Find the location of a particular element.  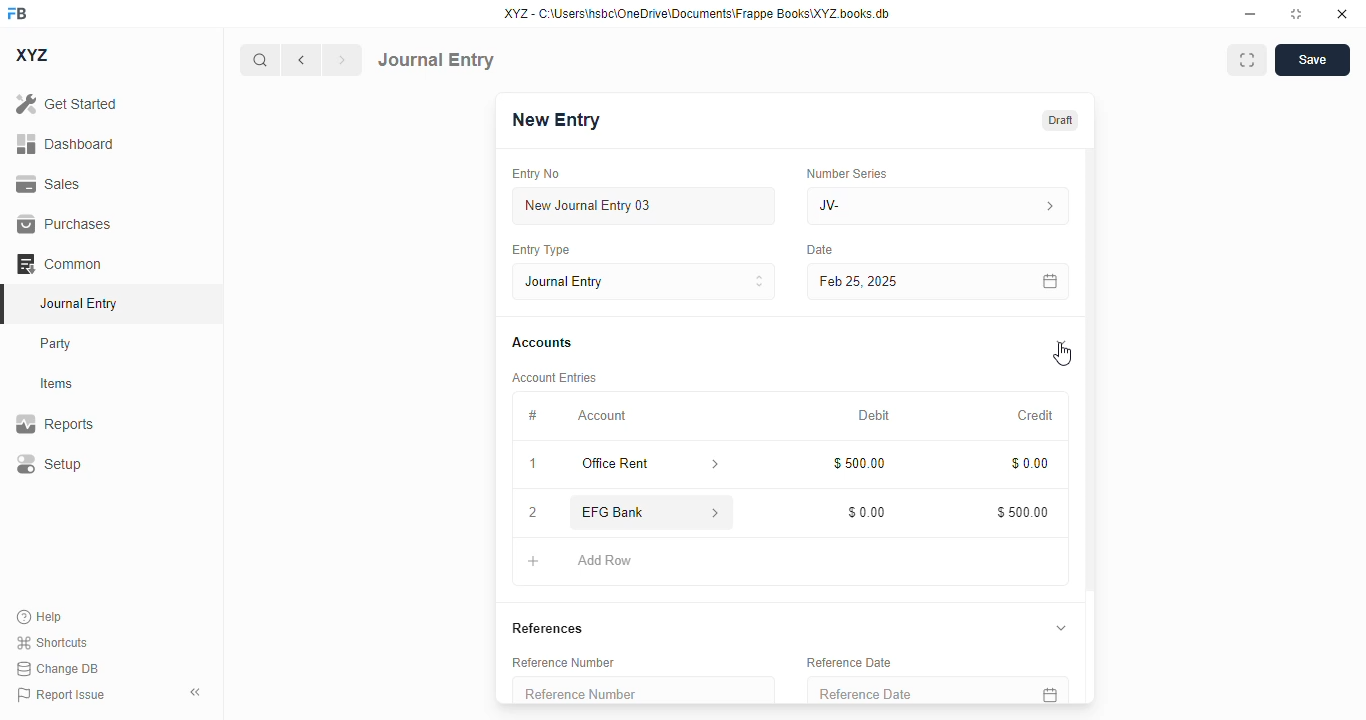

# is located at coordinates (532, 416).